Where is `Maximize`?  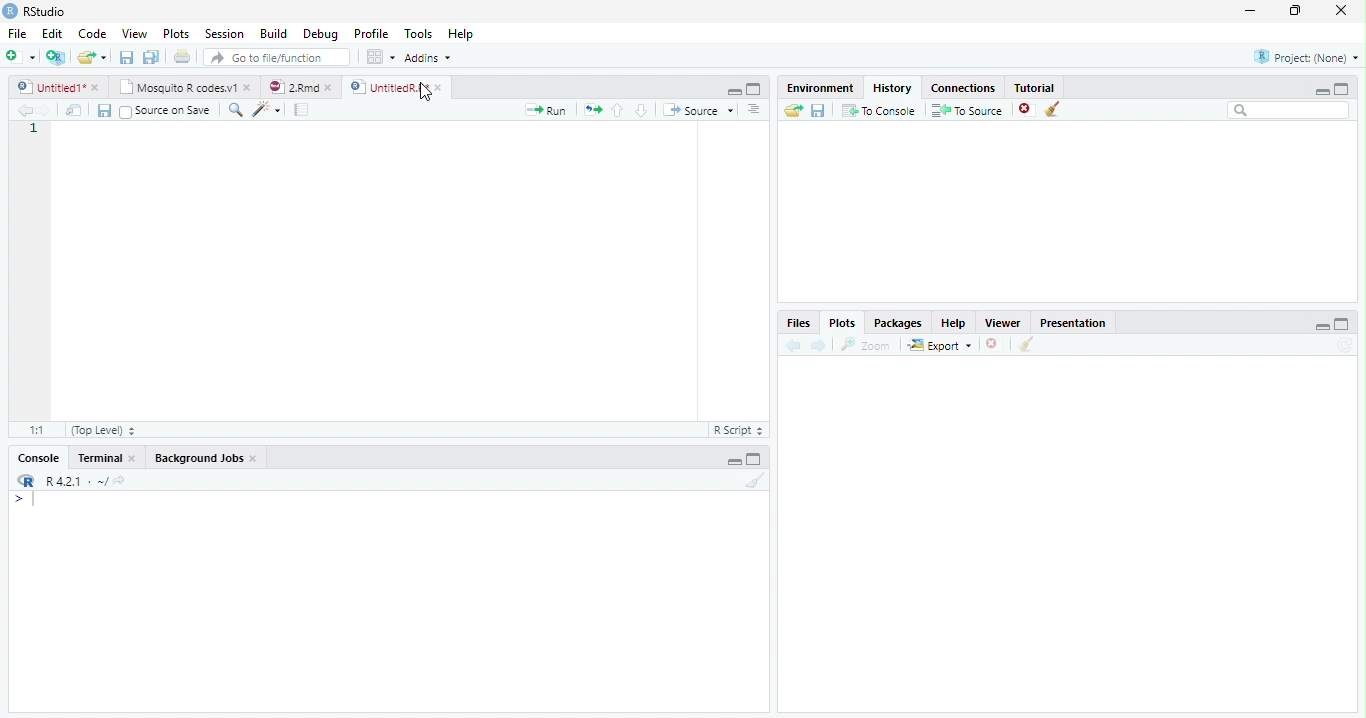
Maximize is located at coordinates (755, 461).